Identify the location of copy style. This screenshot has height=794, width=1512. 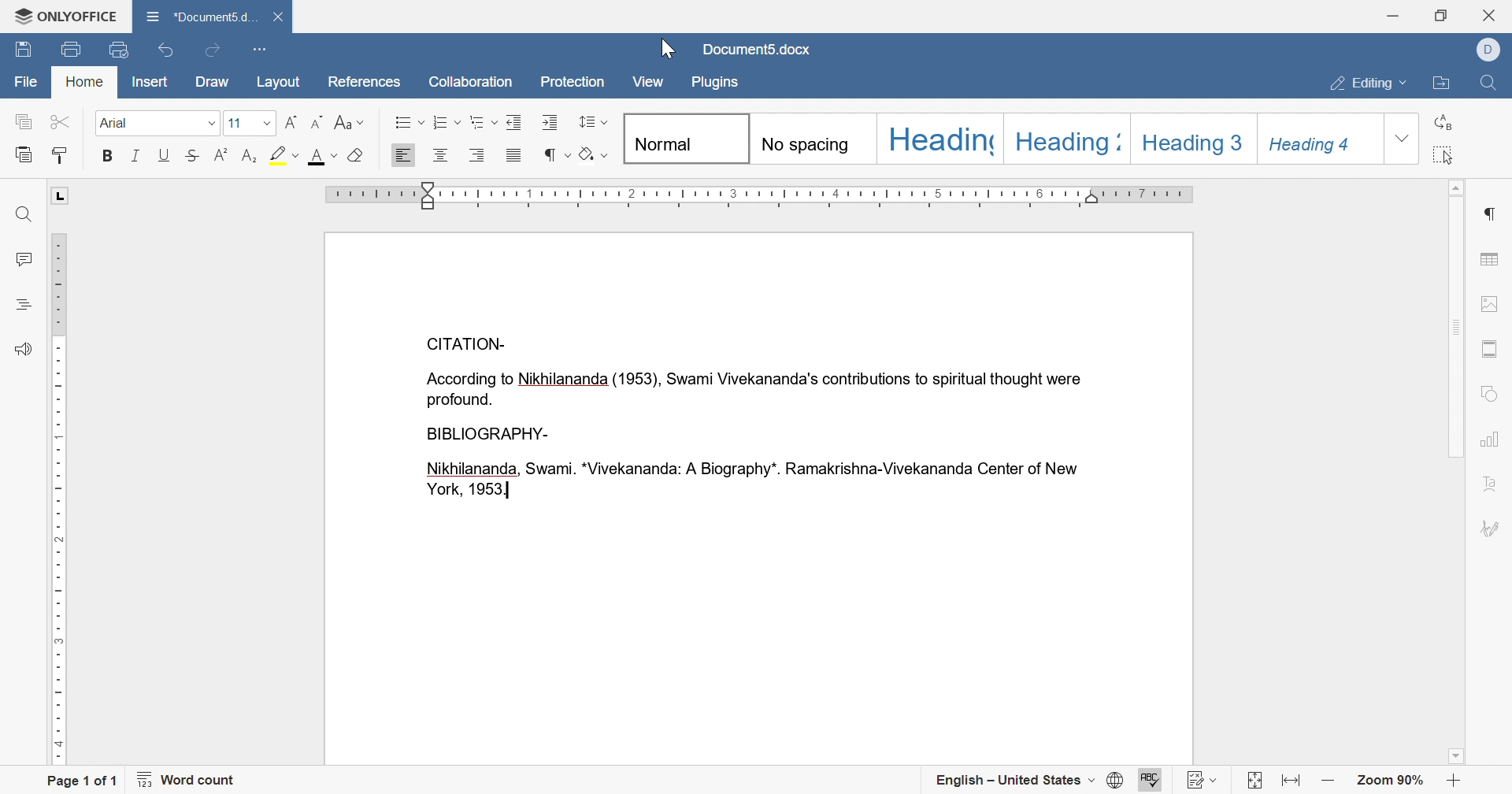
(56, 157).